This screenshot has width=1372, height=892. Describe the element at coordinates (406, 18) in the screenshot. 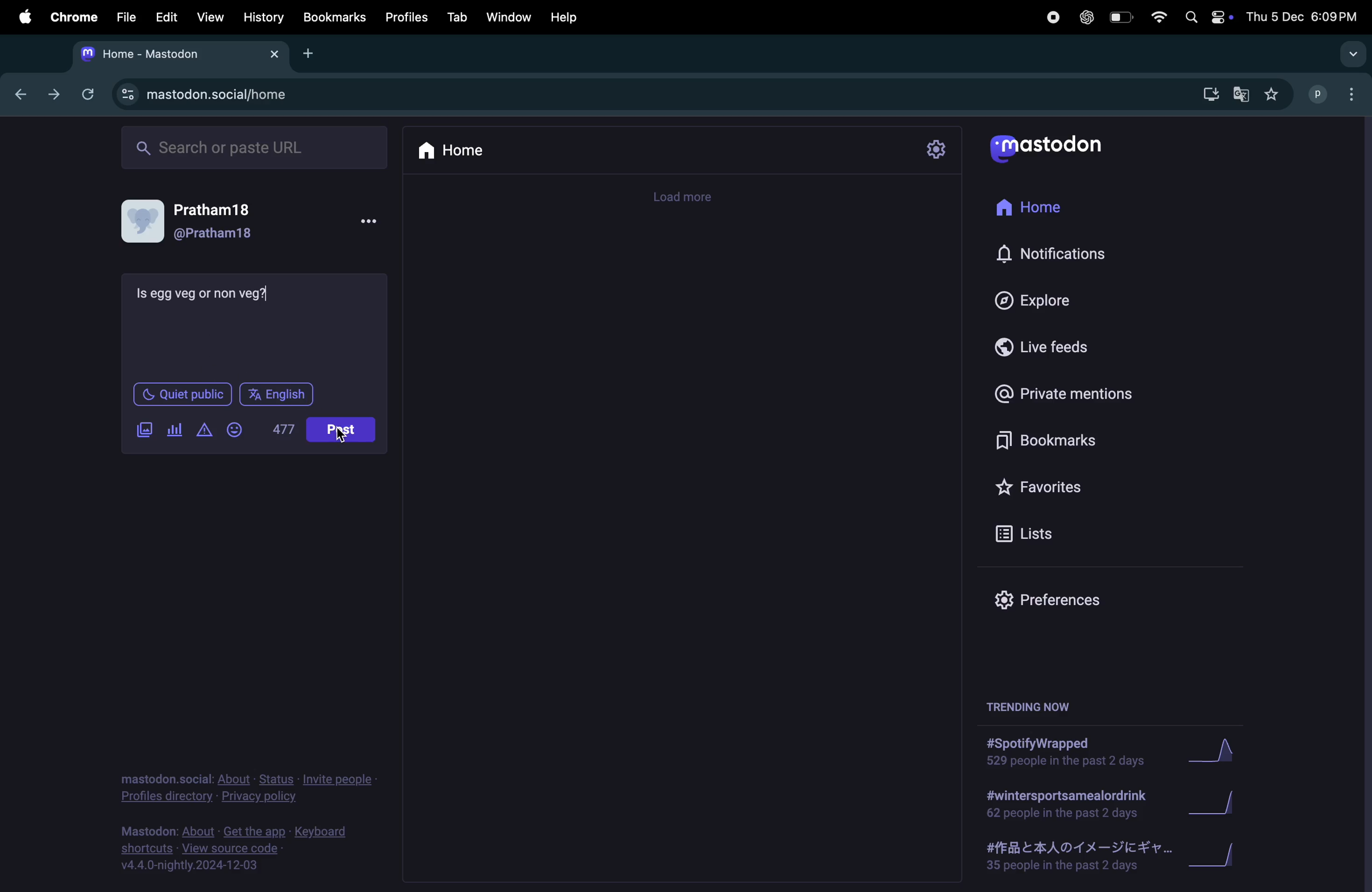

I see `profiles` at that location.